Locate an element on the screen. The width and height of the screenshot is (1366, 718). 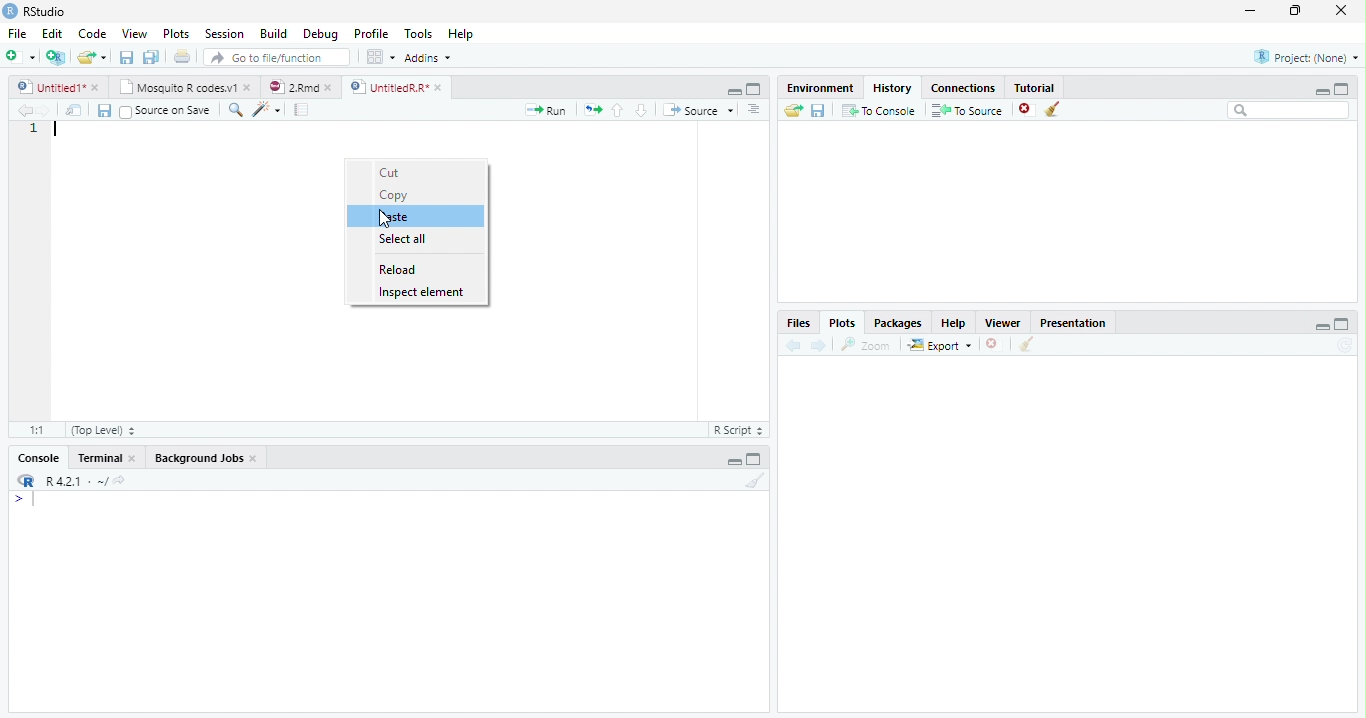
Clean is located at coordinates (753, 481).